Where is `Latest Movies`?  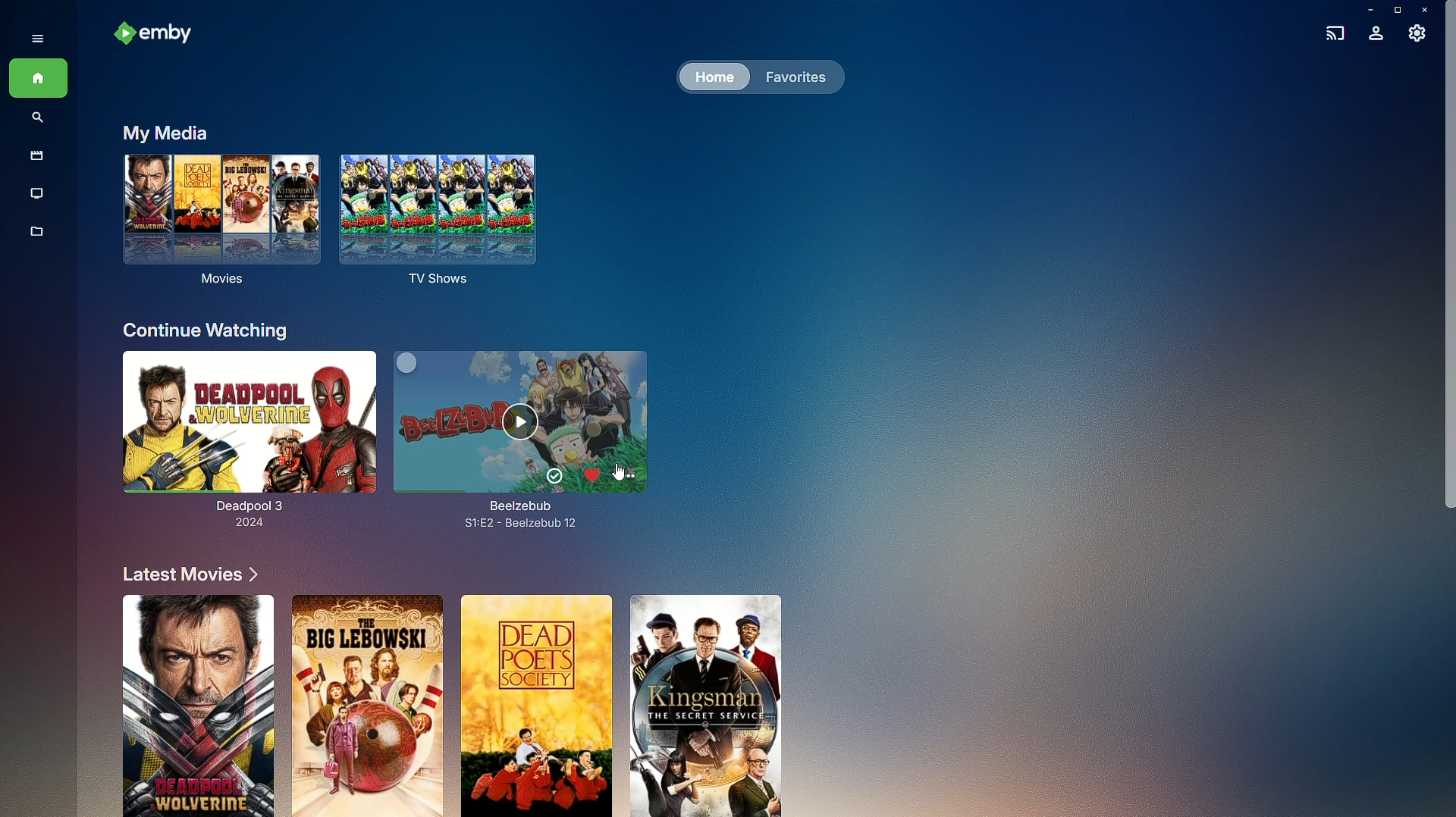 Latest Movies is located at coordinates (184, 574).